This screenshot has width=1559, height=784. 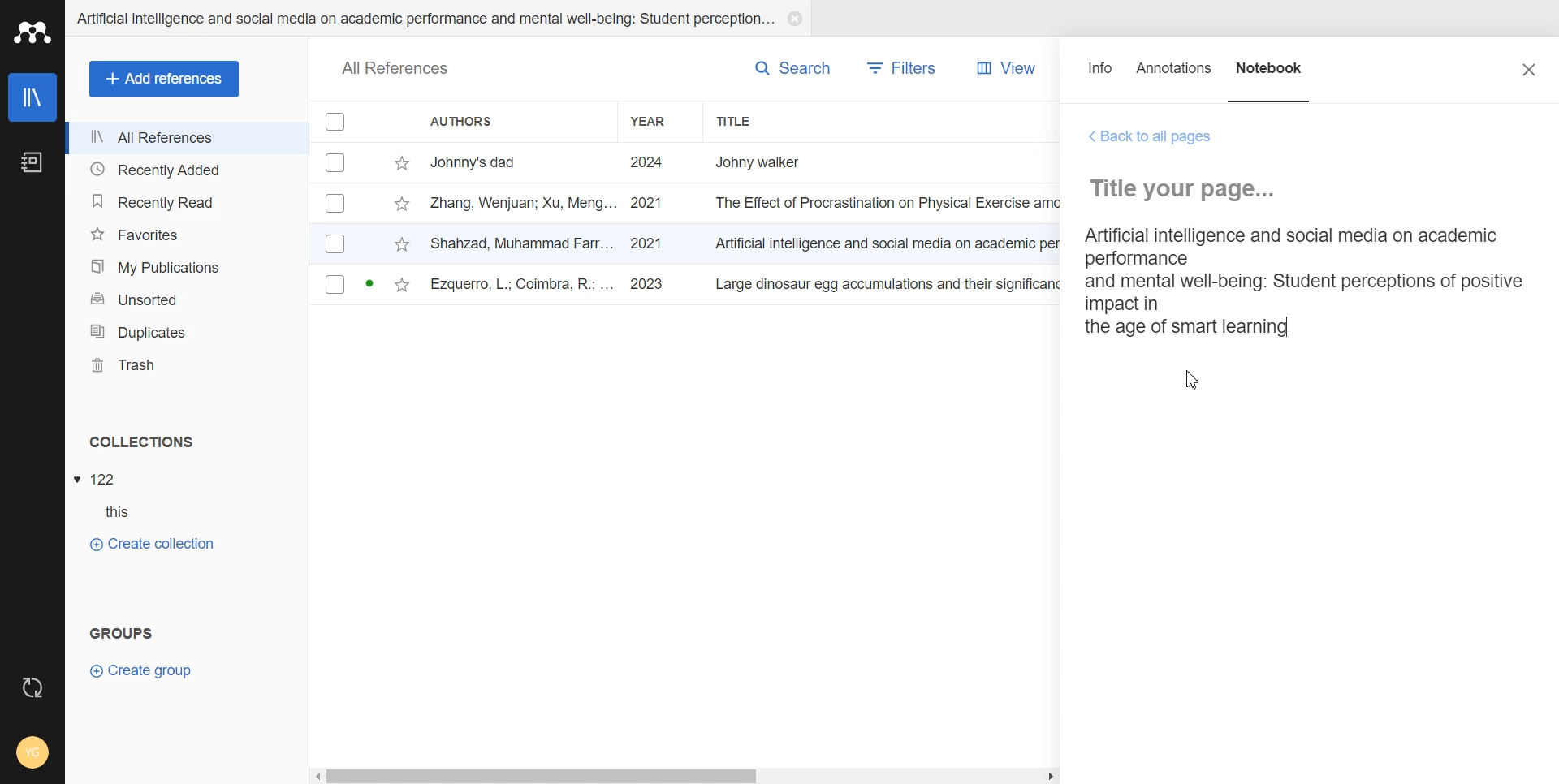 What do you see at coordinates (187, 267) in the screenshot?
I see `My Publication` at bounding box center [187, 267].